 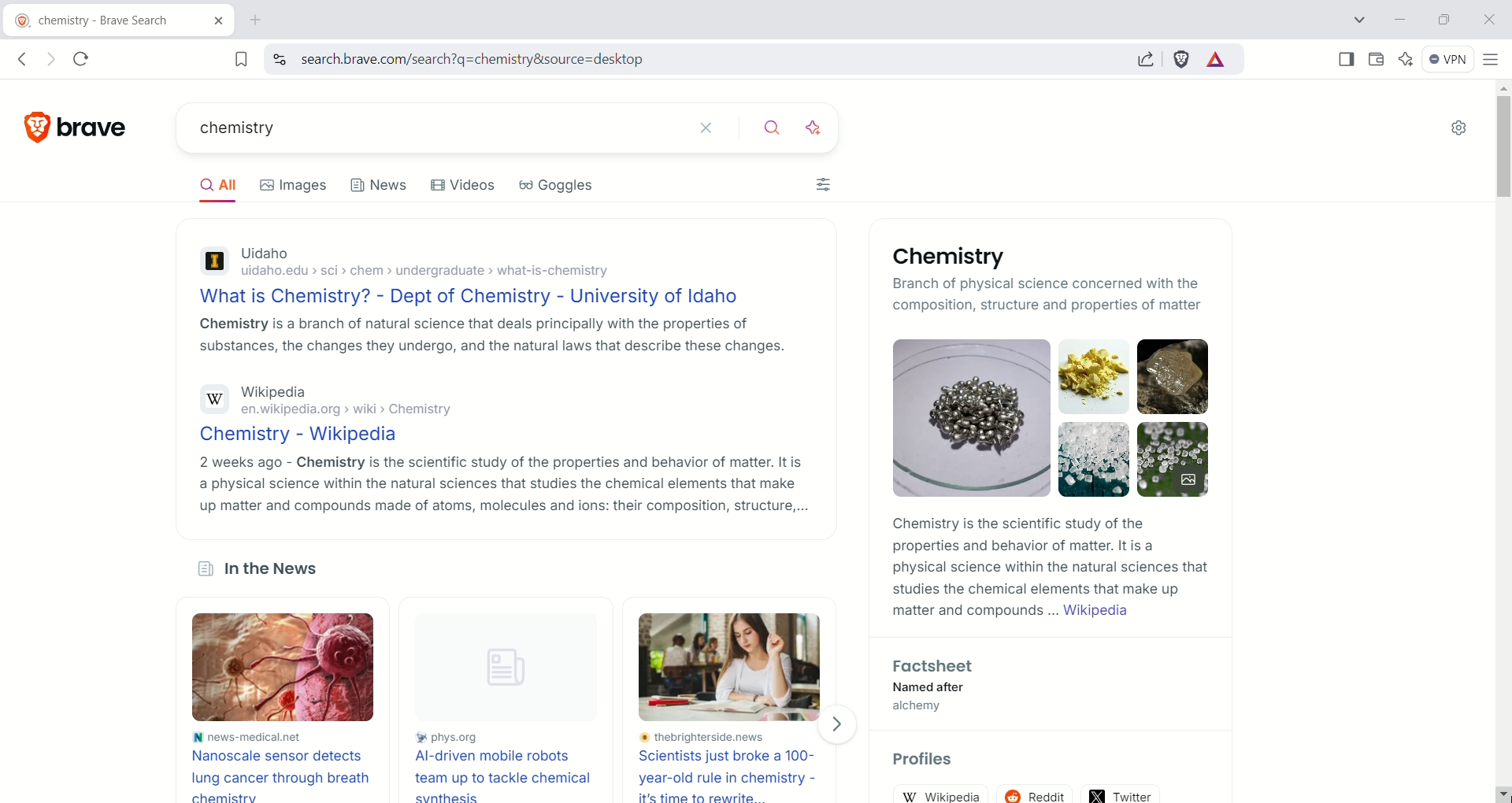 I want to click on show sidebar, so click(x=1347, y=58).